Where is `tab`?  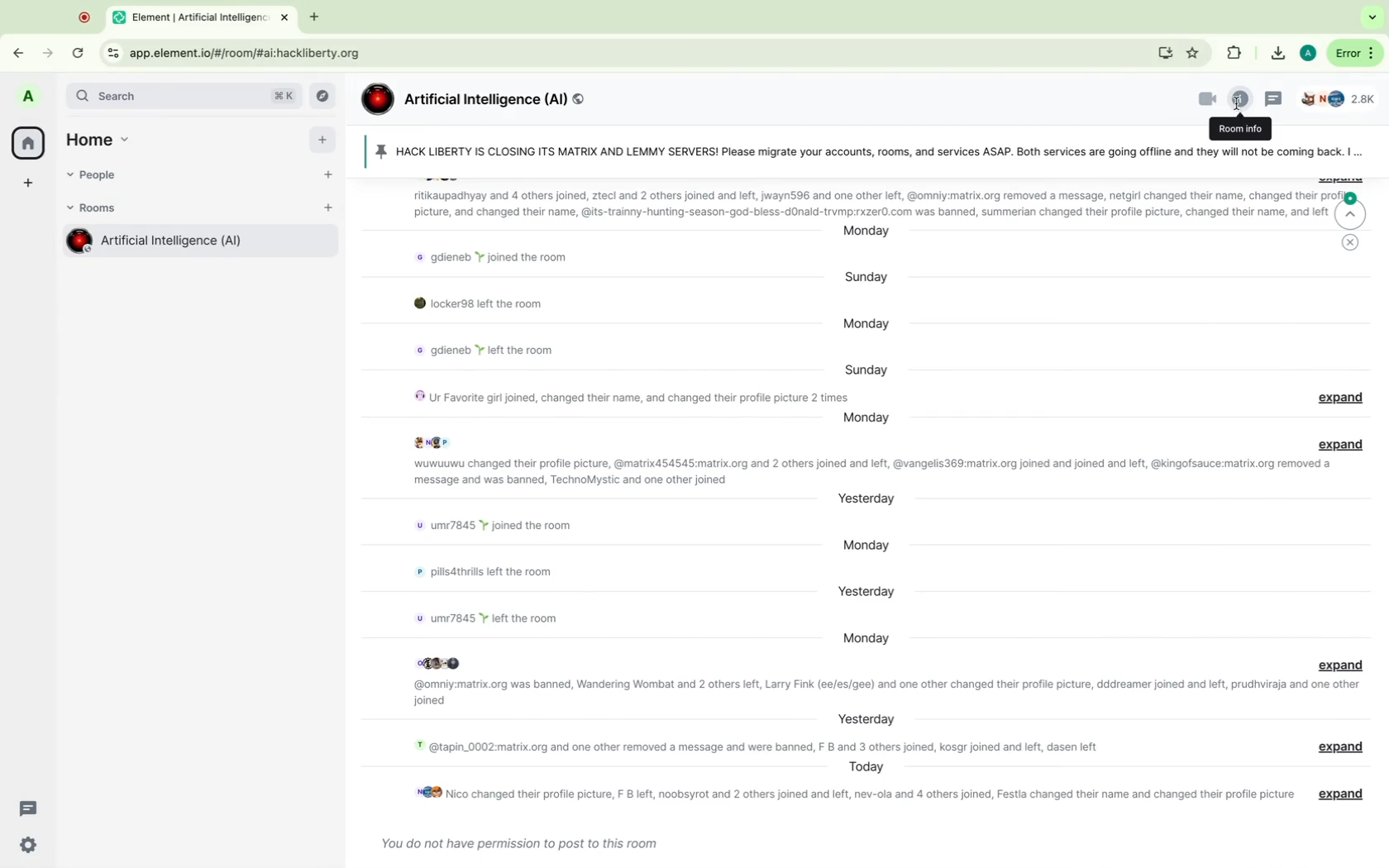 tab is located at coordinates (204, 16).